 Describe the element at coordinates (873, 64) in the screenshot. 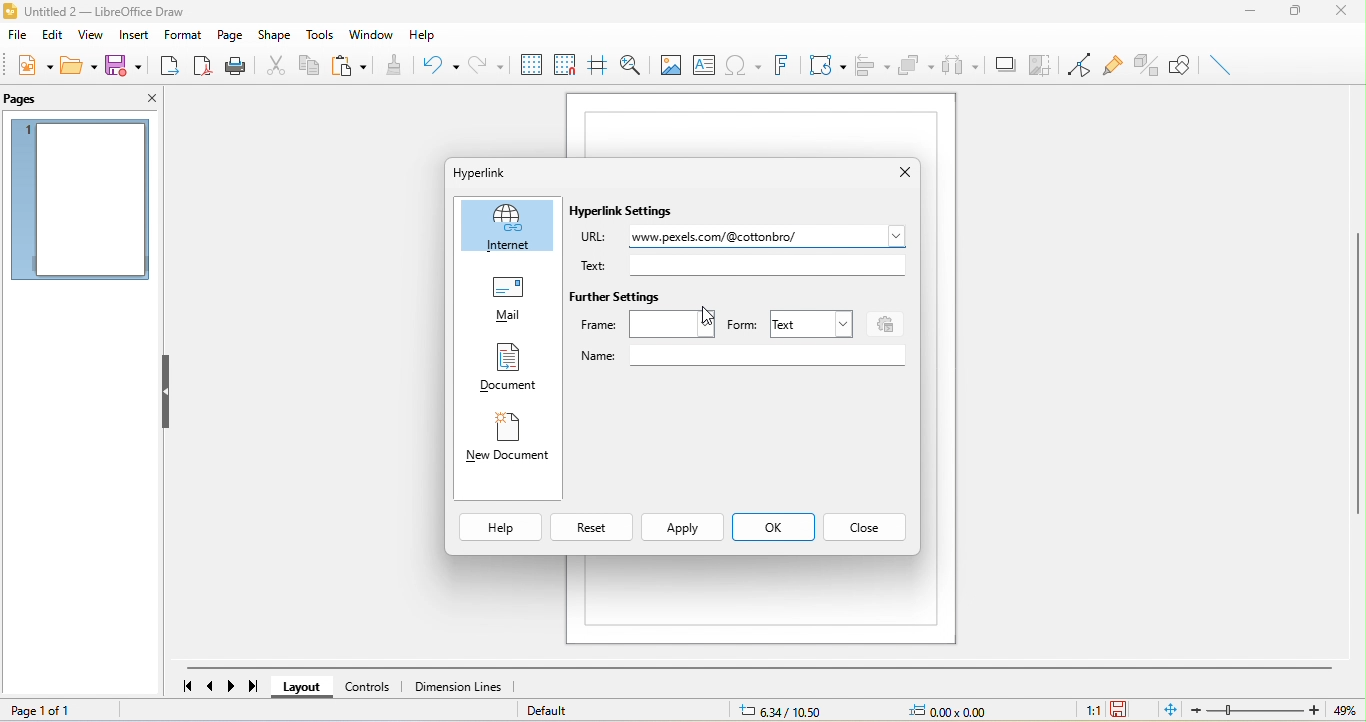

I see `align object` at that location.